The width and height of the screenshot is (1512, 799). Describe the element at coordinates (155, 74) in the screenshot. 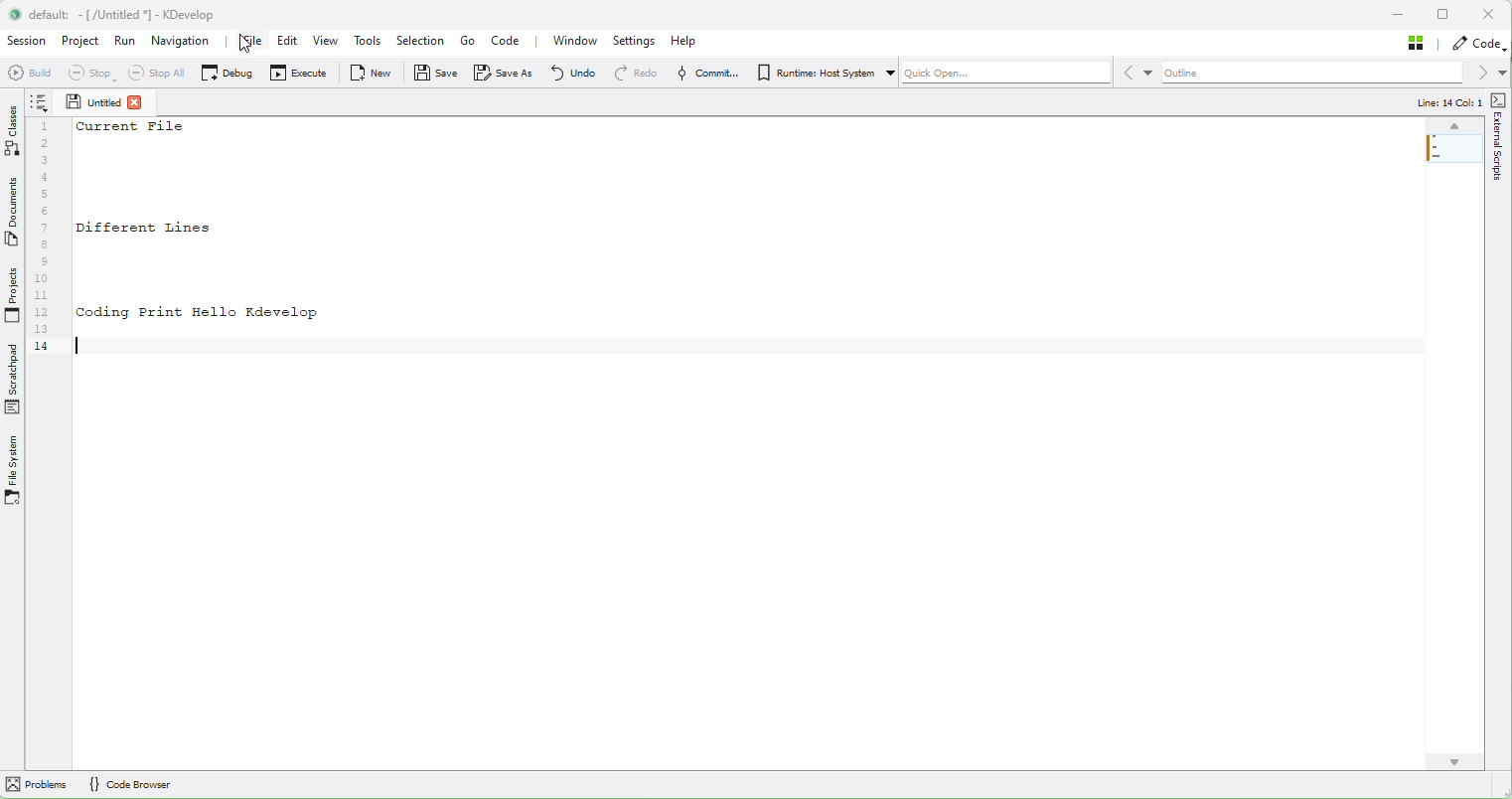

I see `StopAll` at that location.